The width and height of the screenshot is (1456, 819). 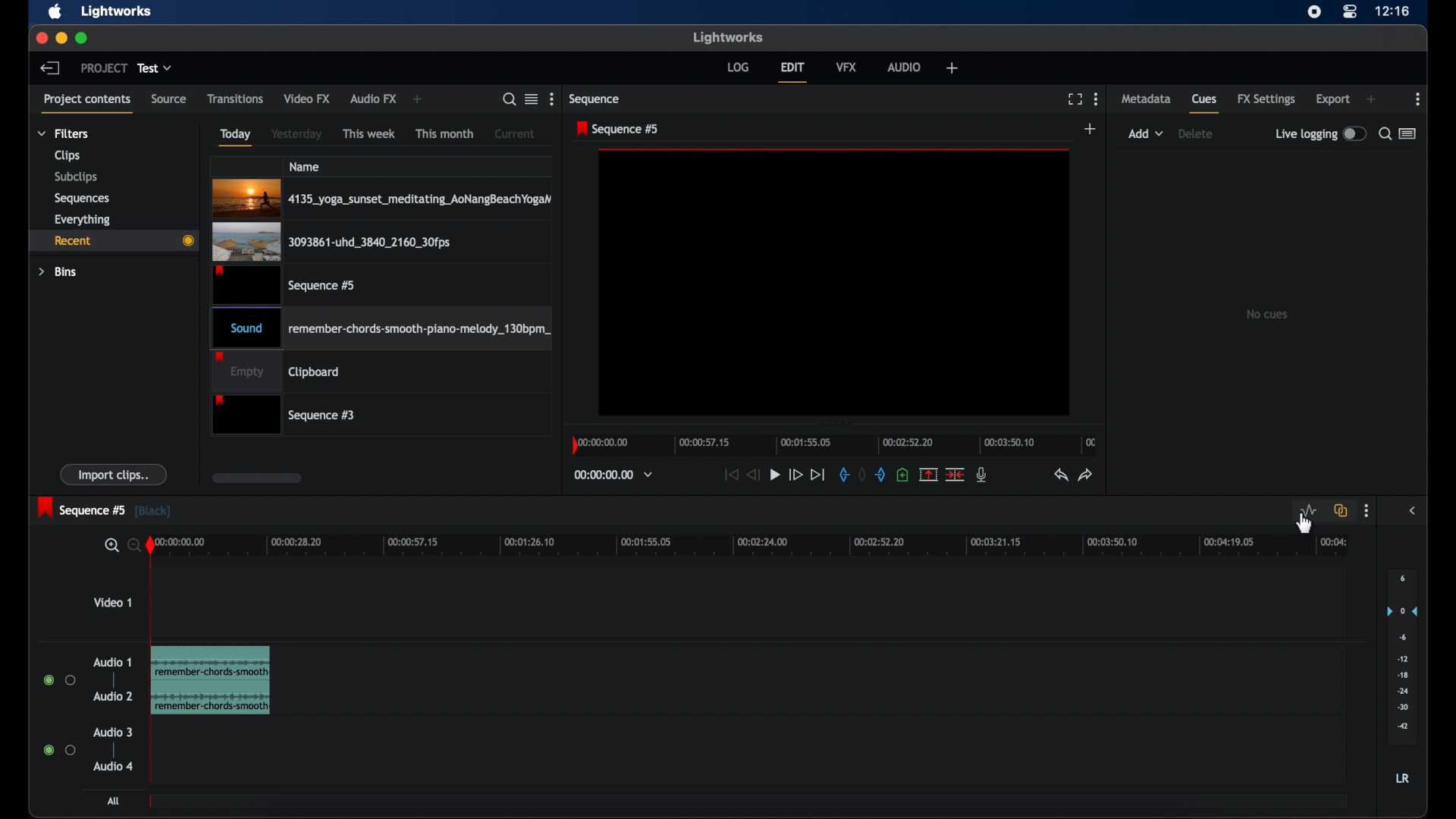 I want to click on timeline scale, so click(x=757, y=546).